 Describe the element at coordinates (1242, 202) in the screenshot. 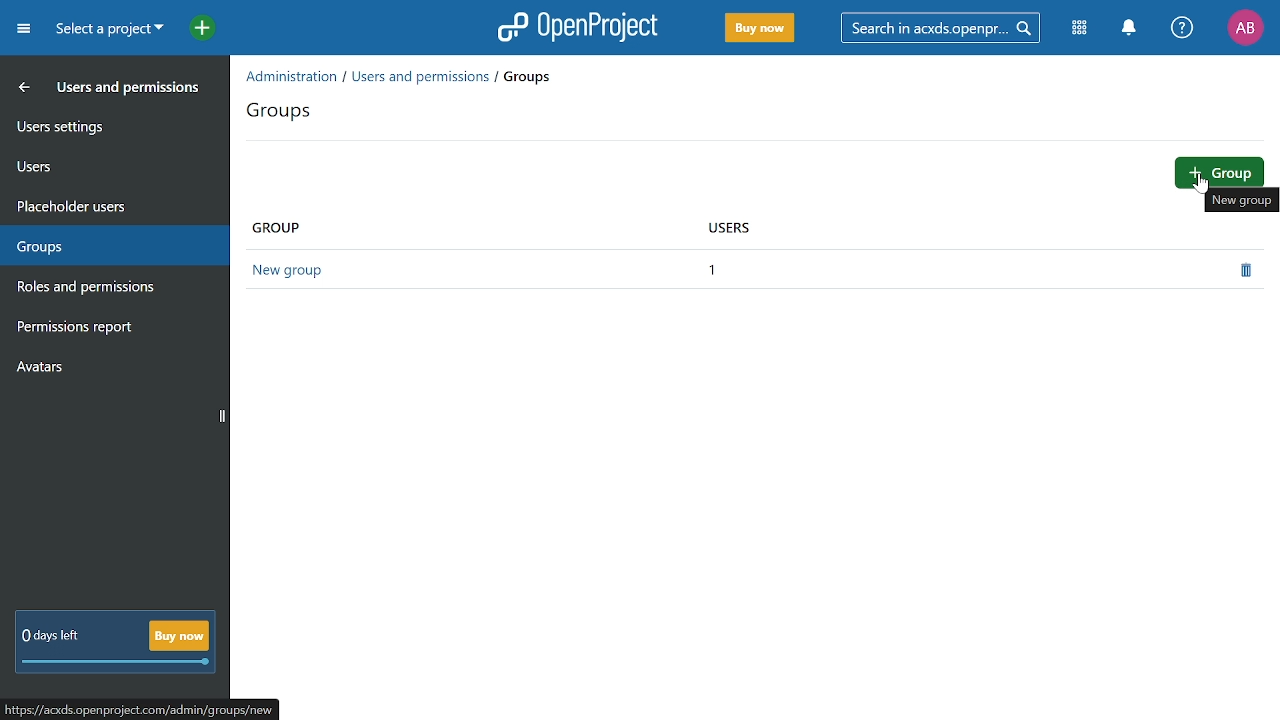

I see `new group` at that location.